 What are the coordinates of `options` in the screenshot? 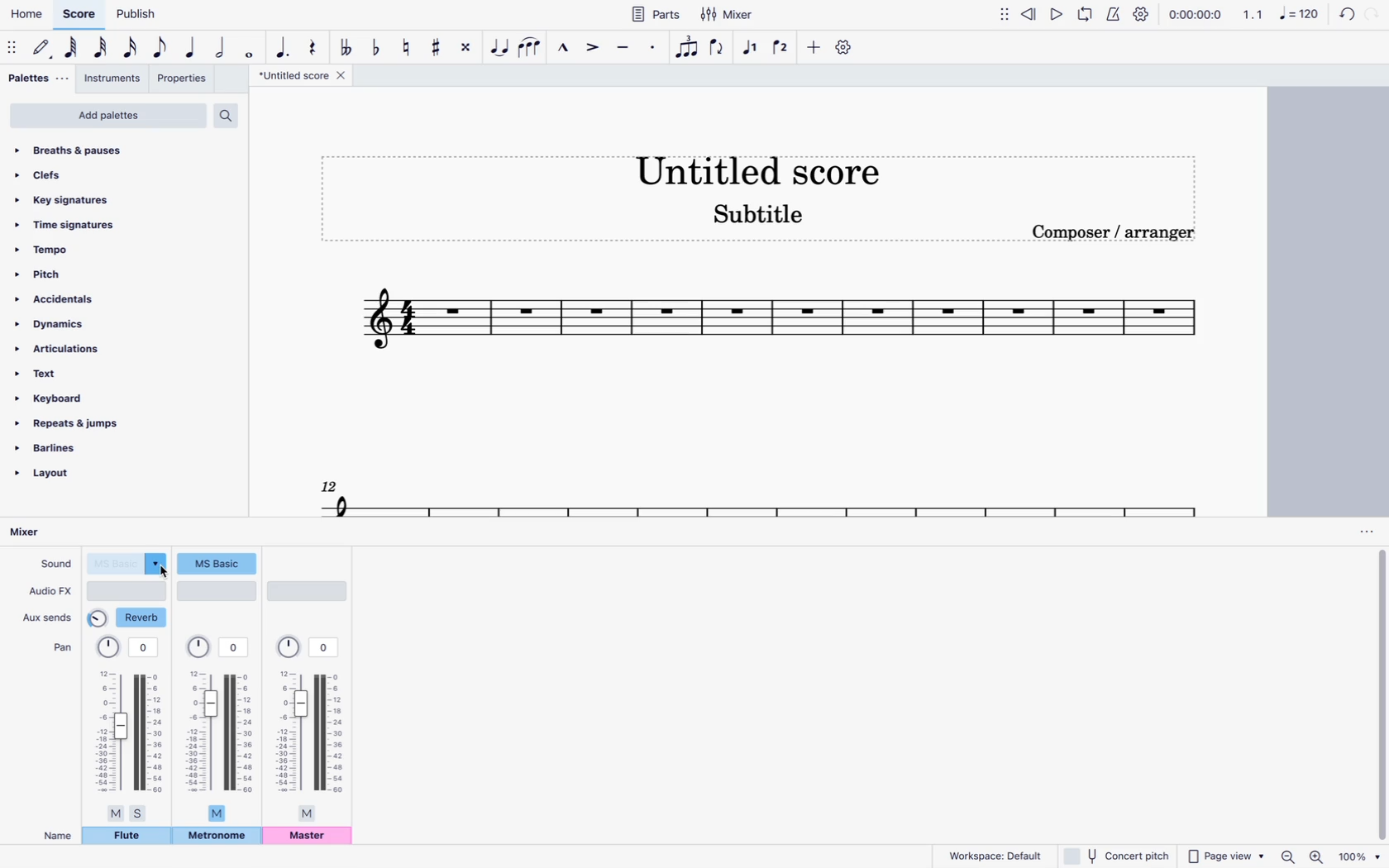 It's located at (1365, 532).